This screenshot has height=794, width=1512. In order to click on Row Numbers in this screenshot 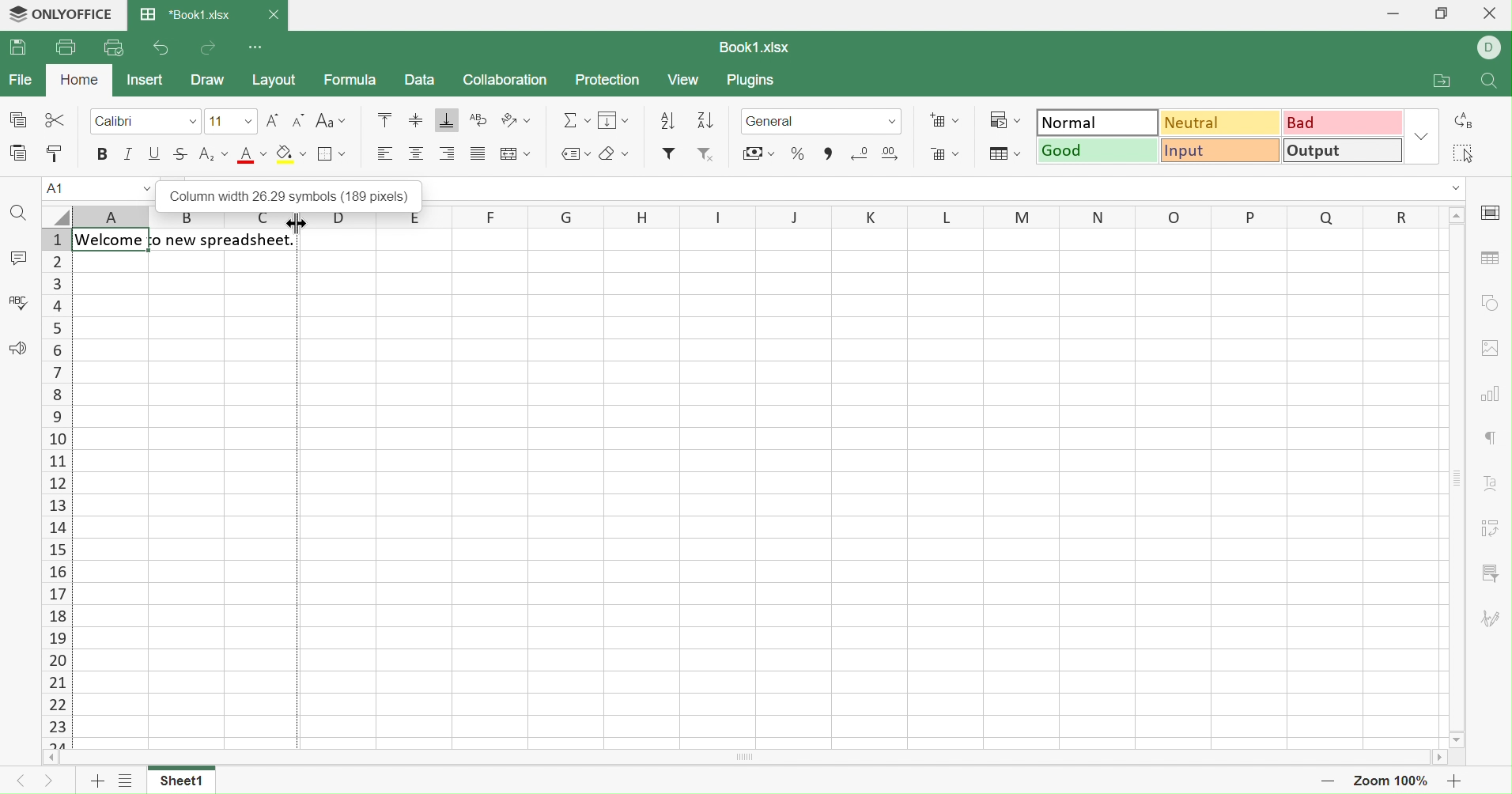, I will do `click(57, 489)`.